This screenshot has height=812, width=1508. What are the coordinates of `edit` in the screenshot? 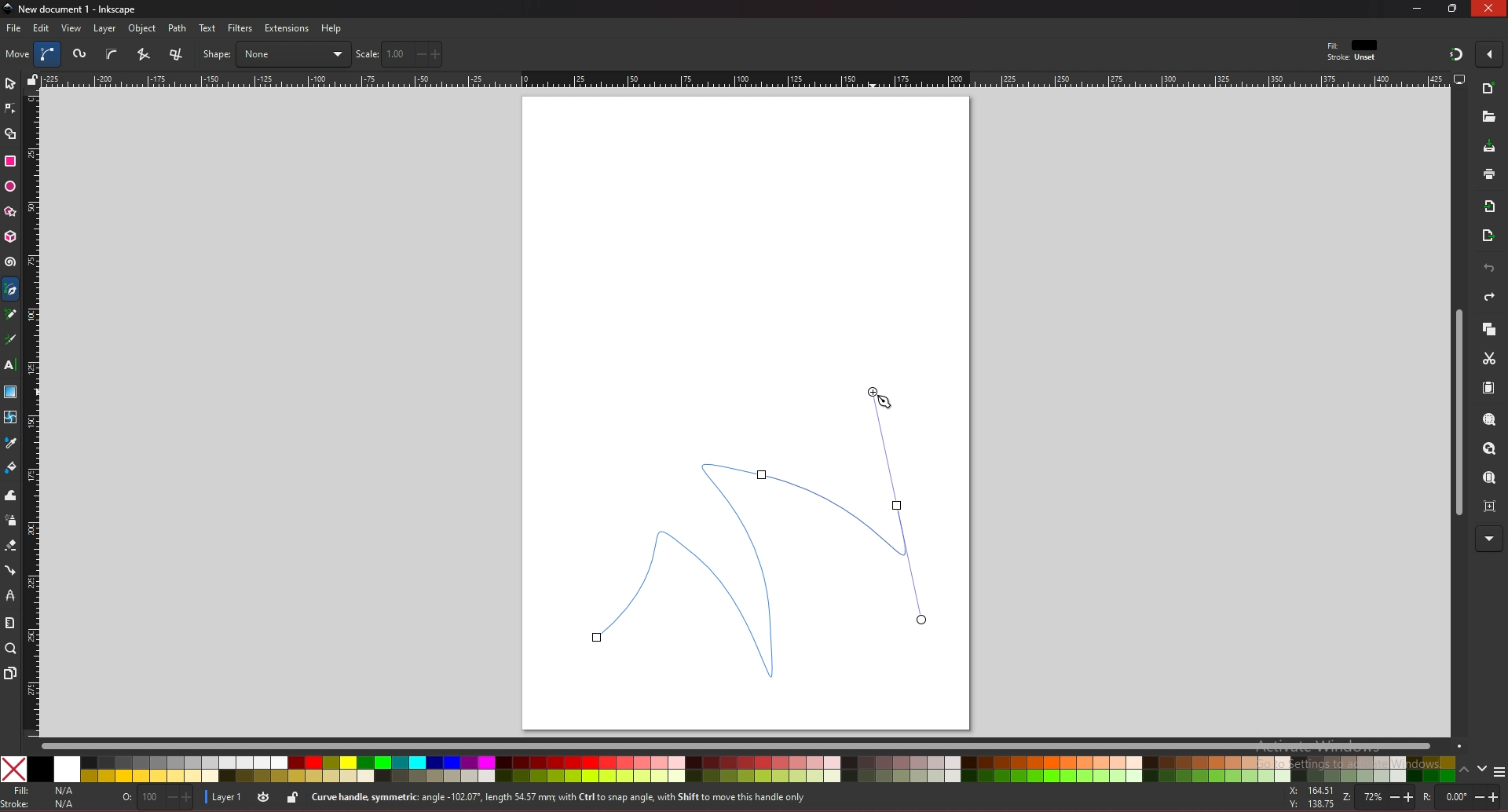 It's located at (42, 27).